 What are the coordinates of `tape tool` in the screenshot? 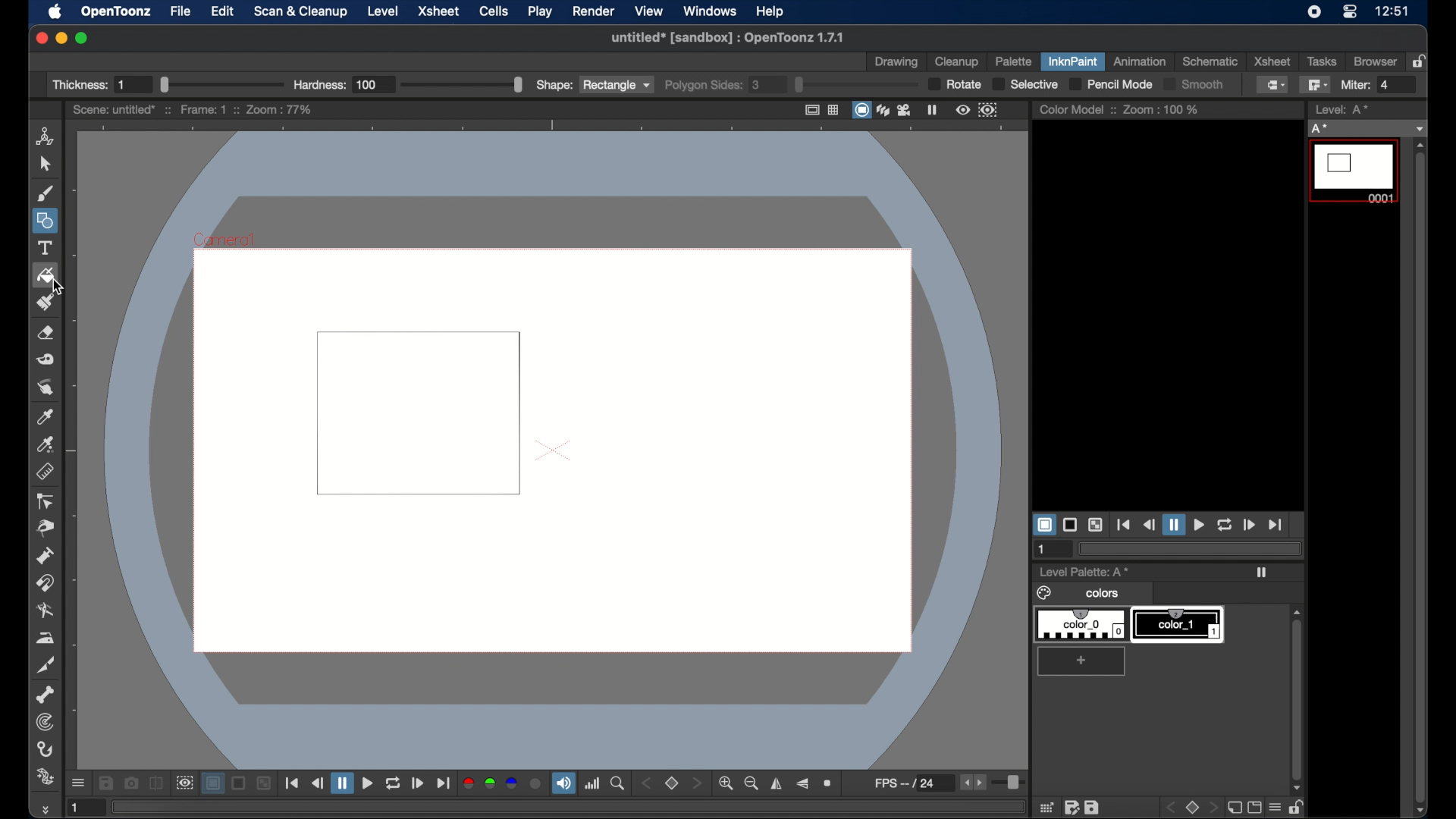 It's located at (45, 359).